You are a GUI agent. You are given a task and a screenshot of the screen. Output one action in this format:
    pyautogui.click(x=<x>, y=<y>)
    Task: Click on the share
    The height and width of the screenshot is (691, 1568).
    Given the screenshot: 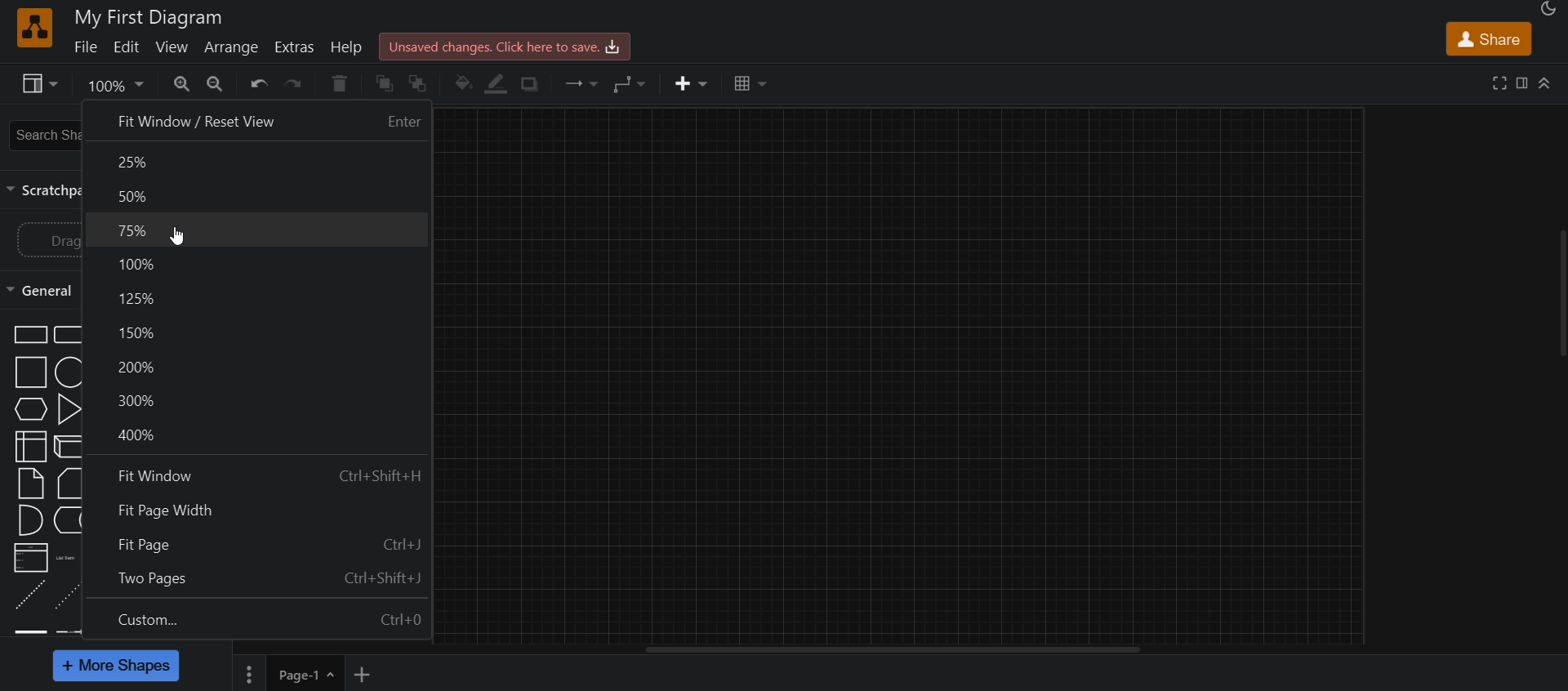 What is the action you would take?
    pyautogui.click(x=1488, y=38)
    